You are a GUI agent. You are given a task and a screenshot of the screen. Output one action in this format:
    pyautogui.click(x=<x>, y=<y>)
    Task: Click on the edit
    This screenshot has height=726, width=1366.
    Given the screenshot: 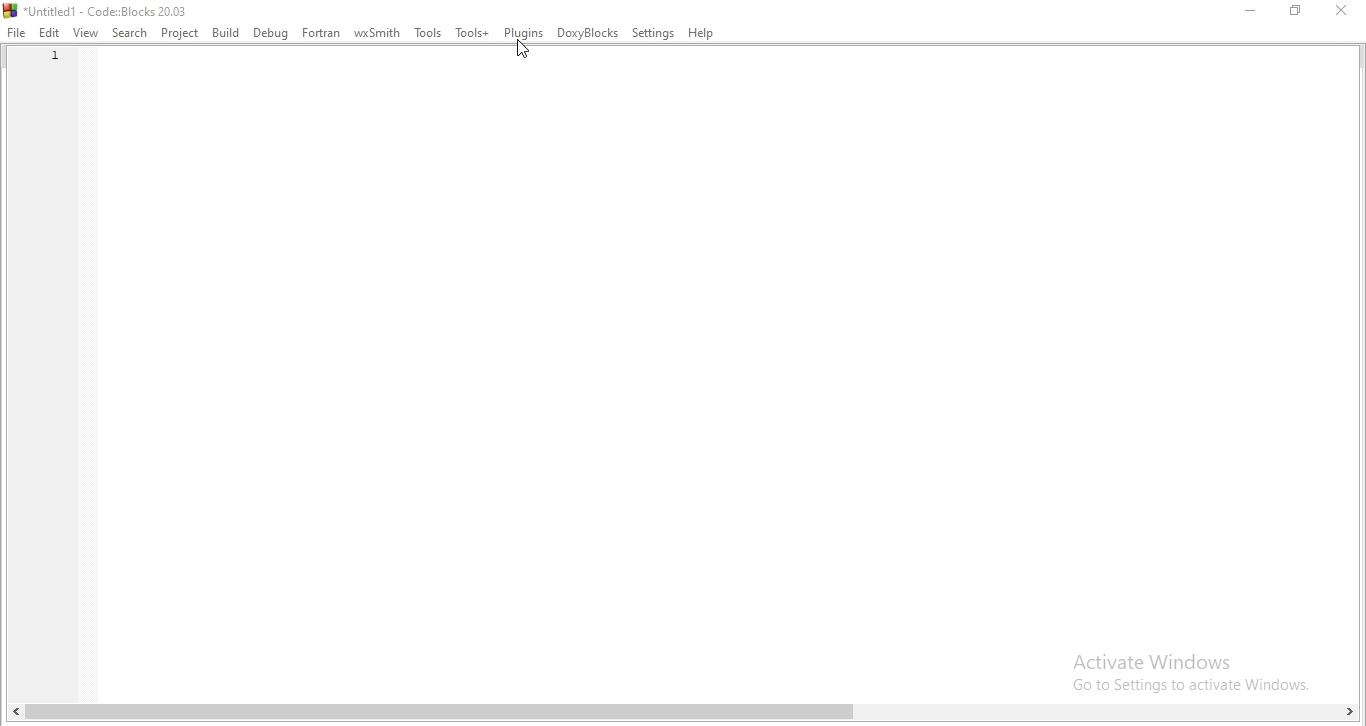 What is the action you would take?
    pyautogui.click(x=50, y=34)
    